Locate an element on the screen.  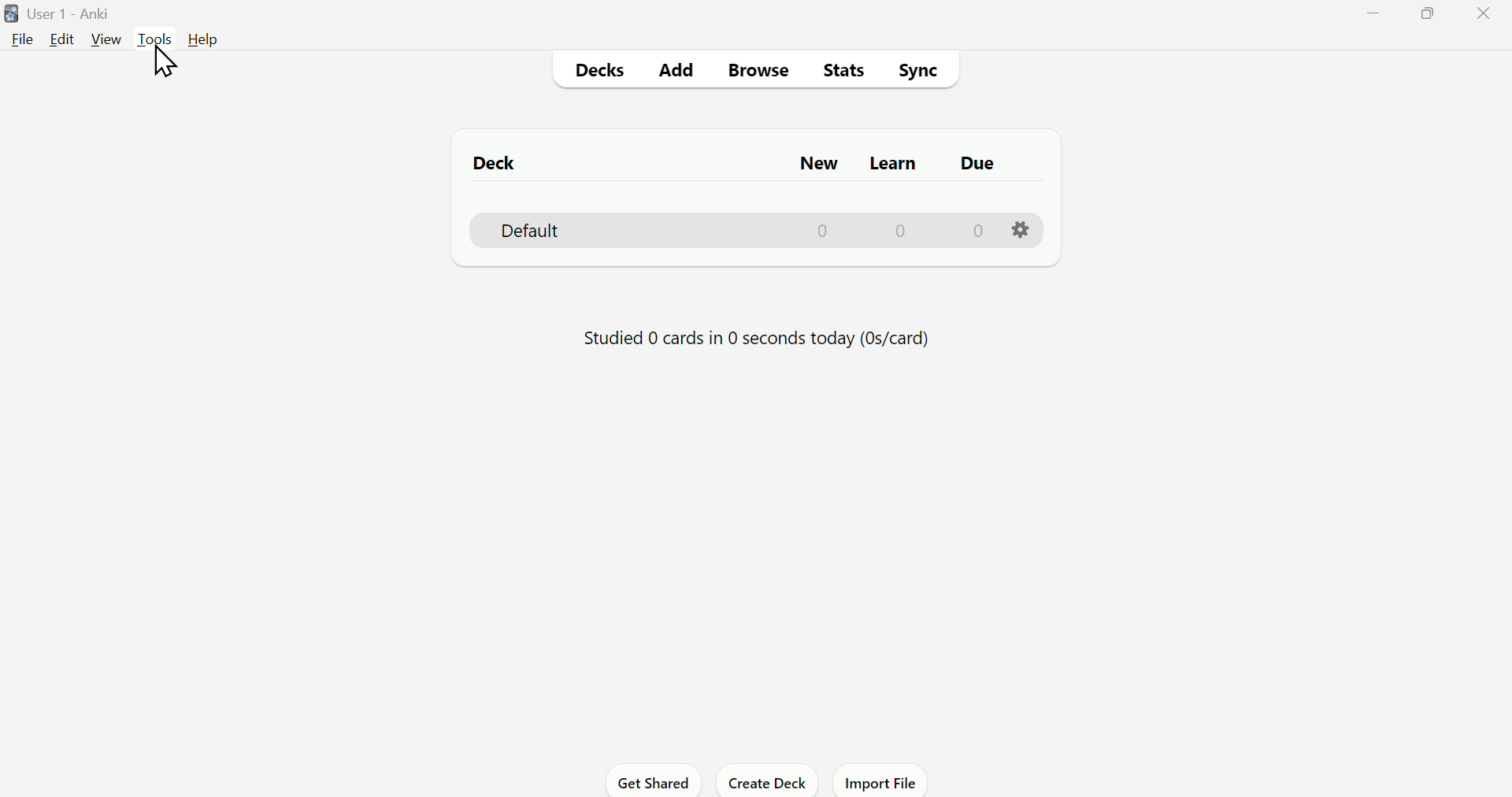
Import is located at coordinates (883, 783).